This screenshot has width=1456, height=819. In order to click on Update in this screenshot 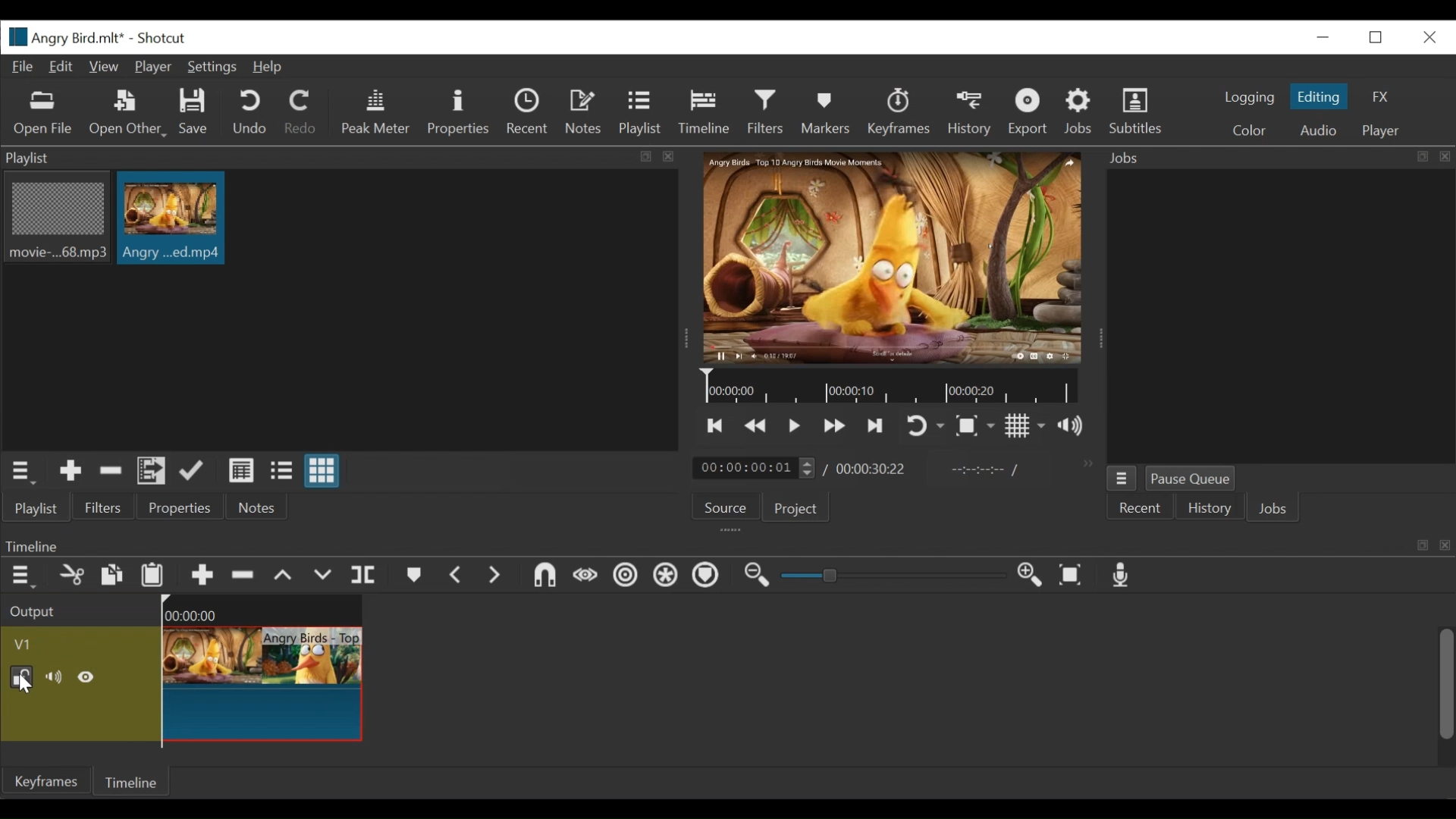, I will do `click(195, 472)`.